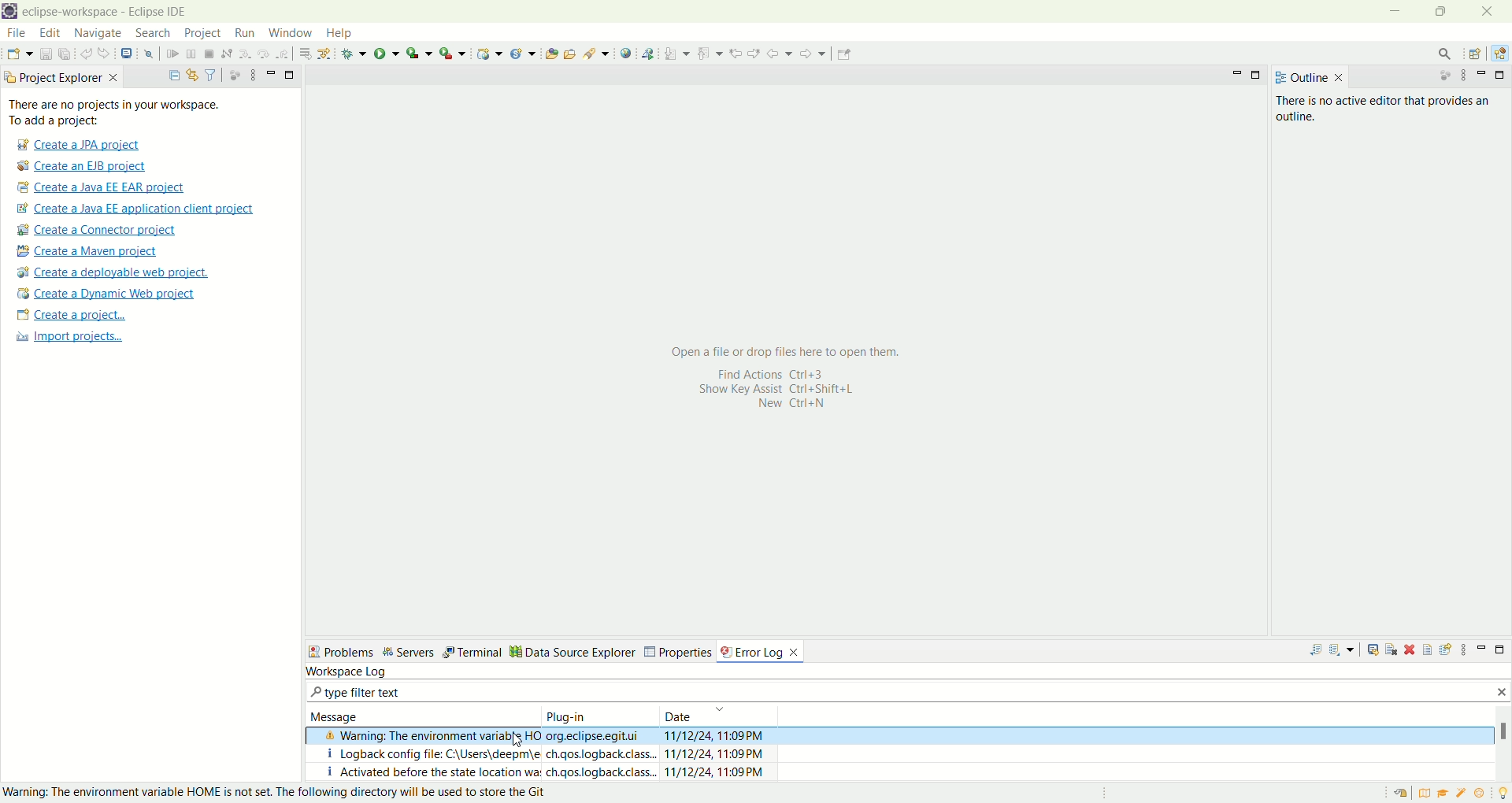  Describe the element at coordinates (521, 739) in the screenshot. I see `cursor` at that location.